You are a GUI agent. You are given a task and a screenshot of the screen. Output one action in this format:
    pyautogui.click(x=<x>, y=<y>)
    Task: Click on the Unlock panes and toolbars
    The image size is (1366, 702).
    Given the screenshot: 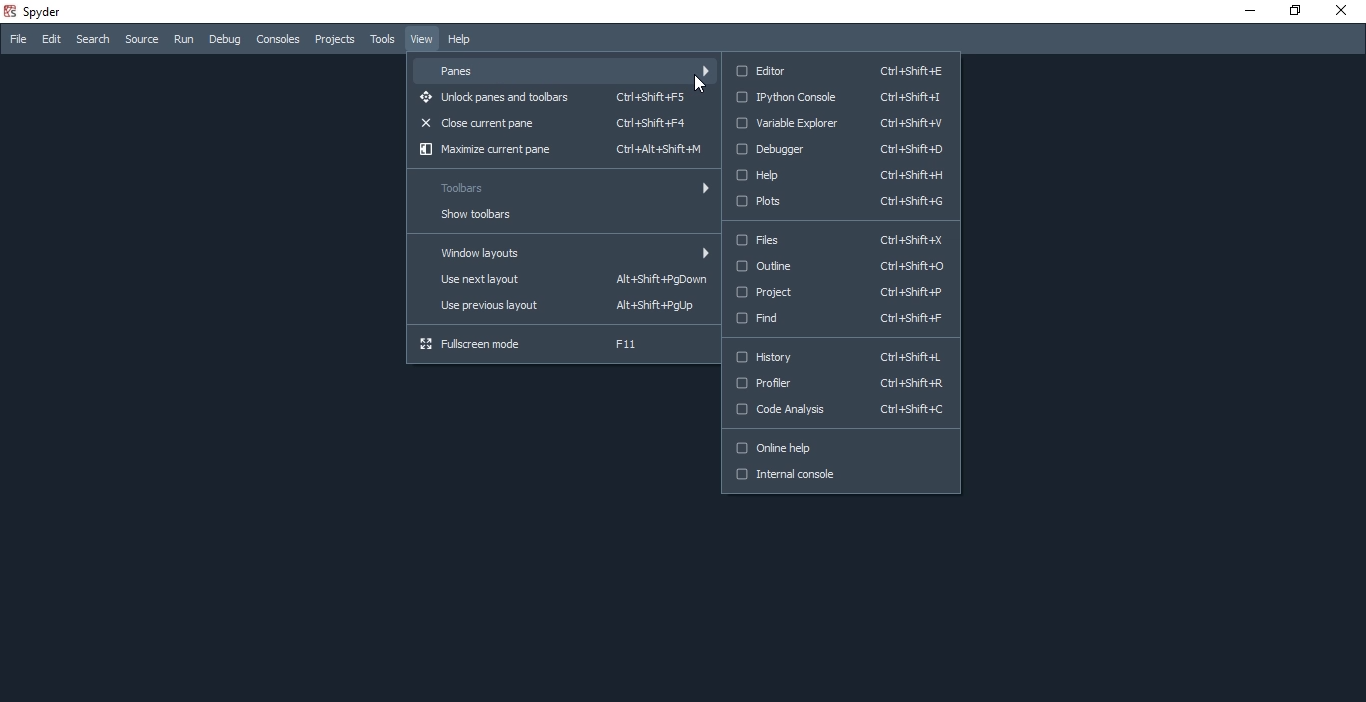 What is the action you would take?
    pyautogui.click(x=558, y=98)
    